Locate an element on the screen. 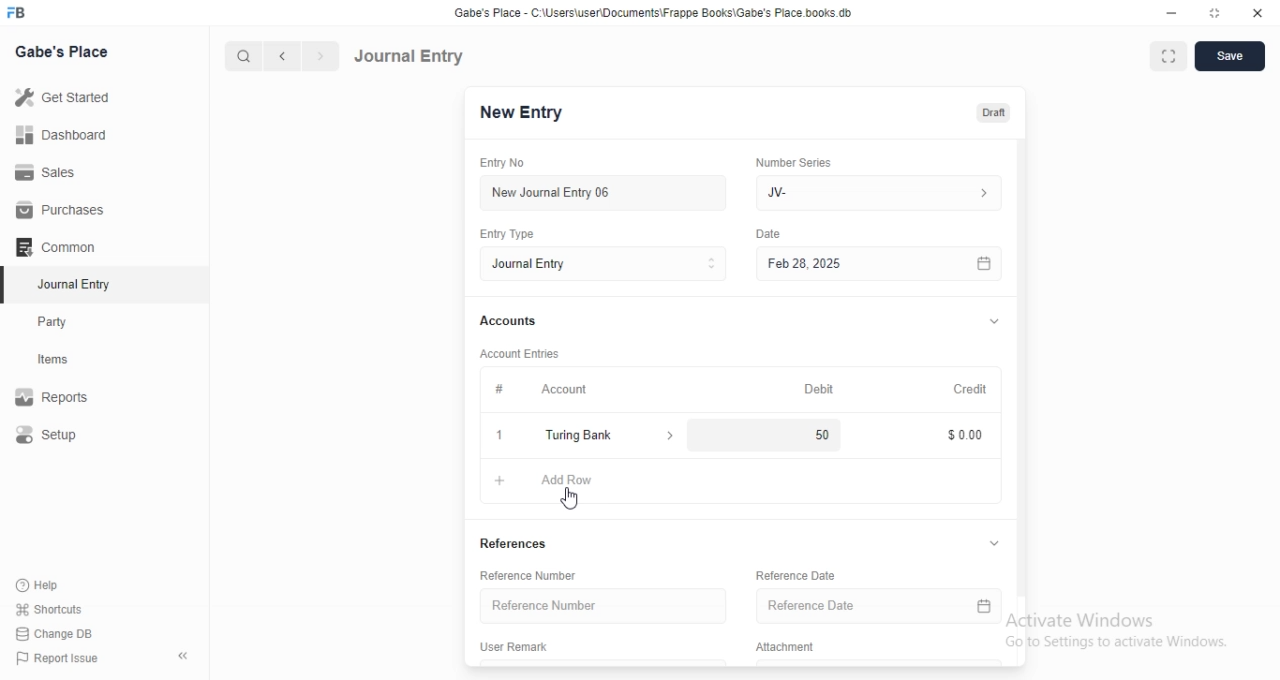 This screenshot has height=680, width=1280. References is located at coordinates (525, 542).